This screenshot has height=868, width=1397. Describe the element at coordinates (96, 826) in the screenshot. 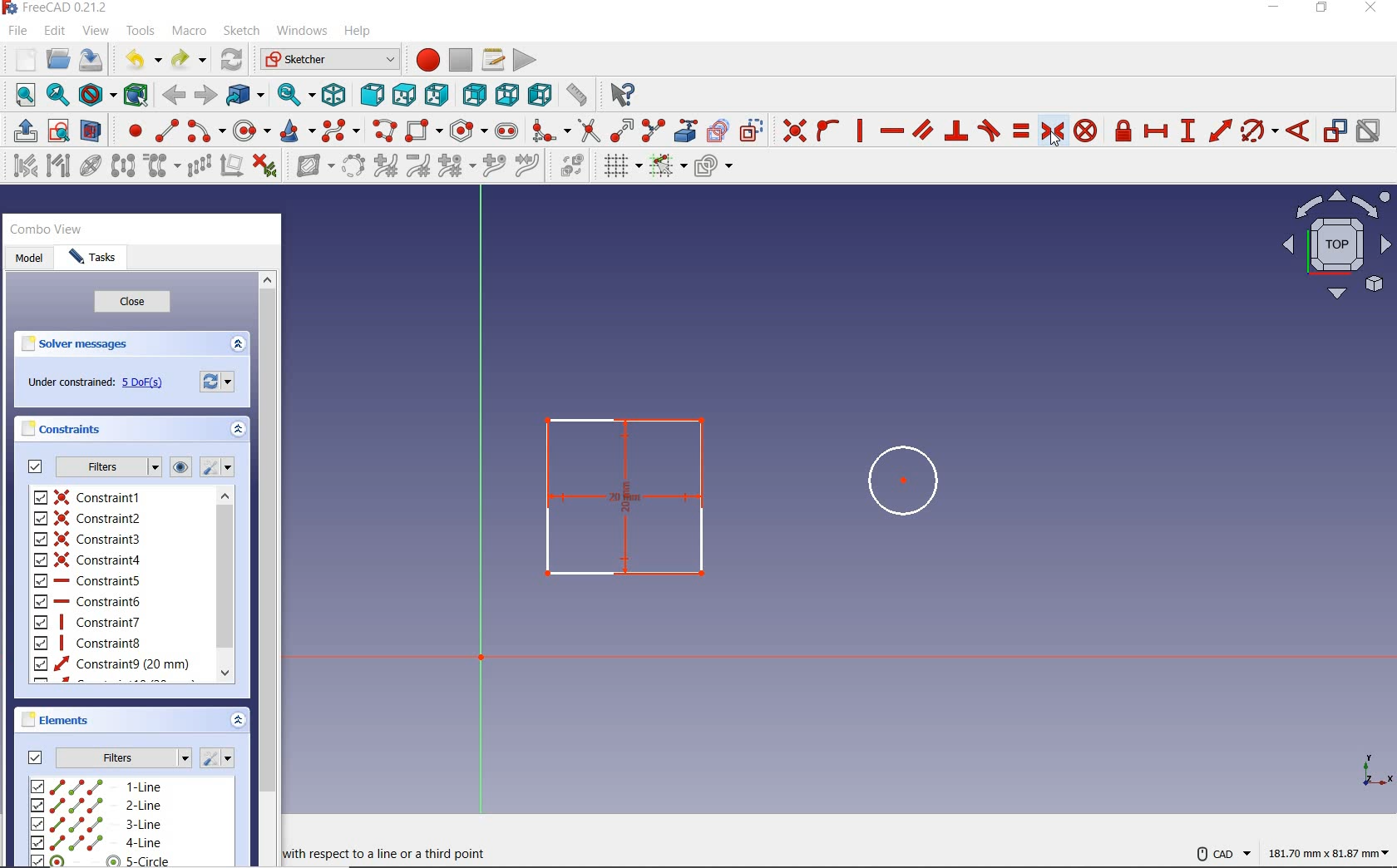

I see `3-LINE` at that location.